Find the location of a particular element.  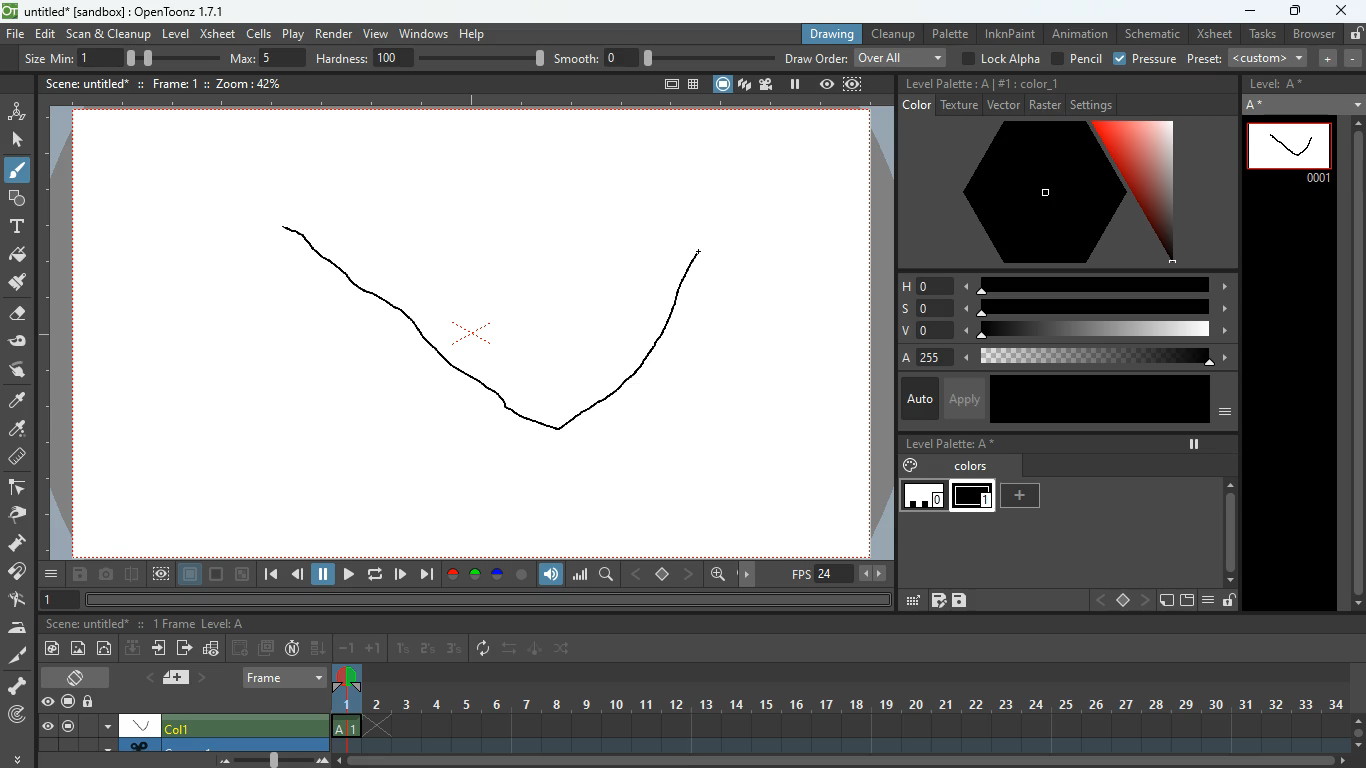

Raster is located at coordinates (1045, 104).